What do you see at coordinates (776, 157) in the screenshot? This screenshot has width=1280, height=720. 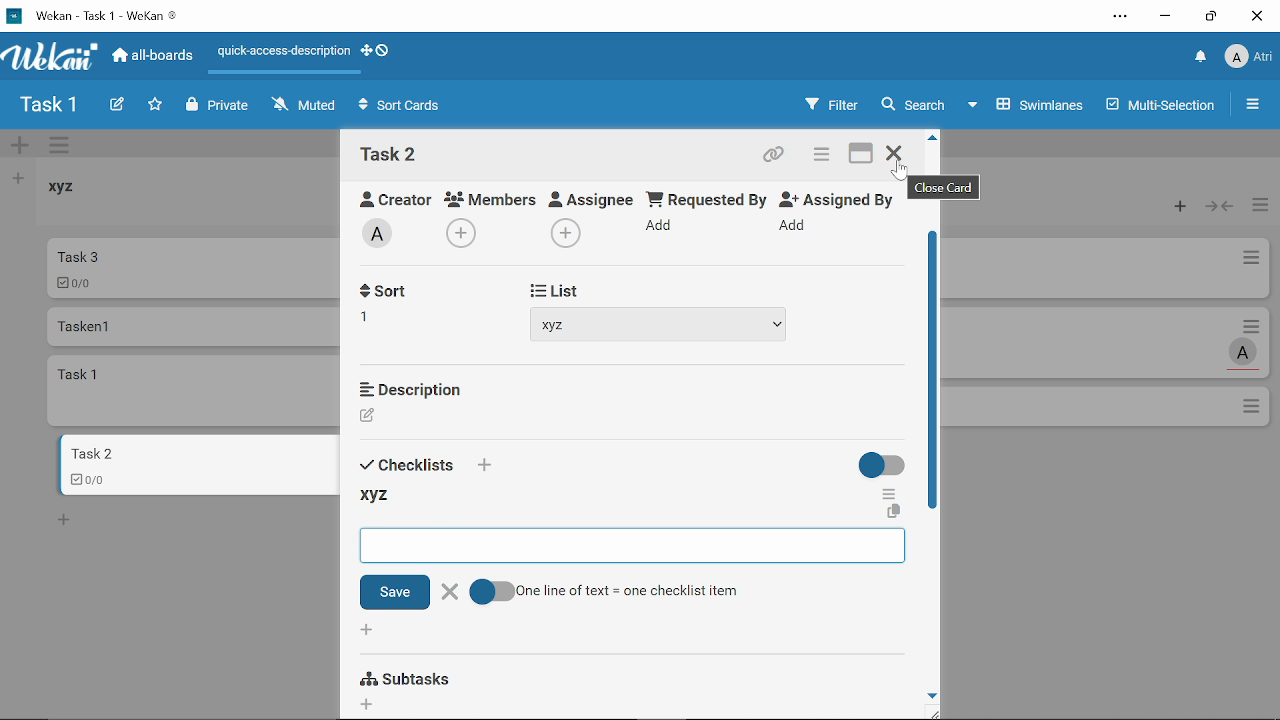 I see `Copy card link to clipboard` at bounding box center [776, 157].